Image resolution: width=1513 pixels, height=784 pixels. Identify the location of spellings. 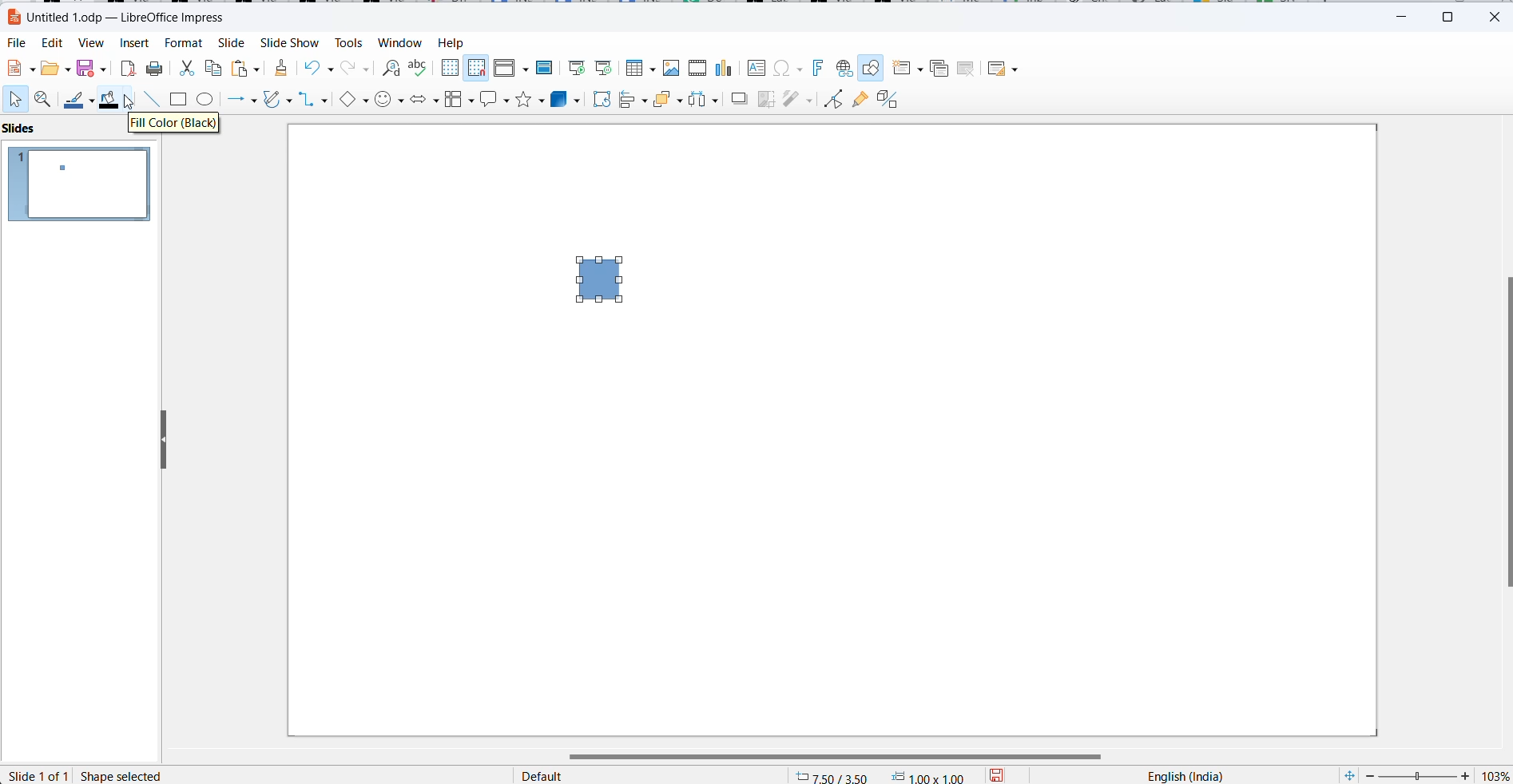
(419, 68).